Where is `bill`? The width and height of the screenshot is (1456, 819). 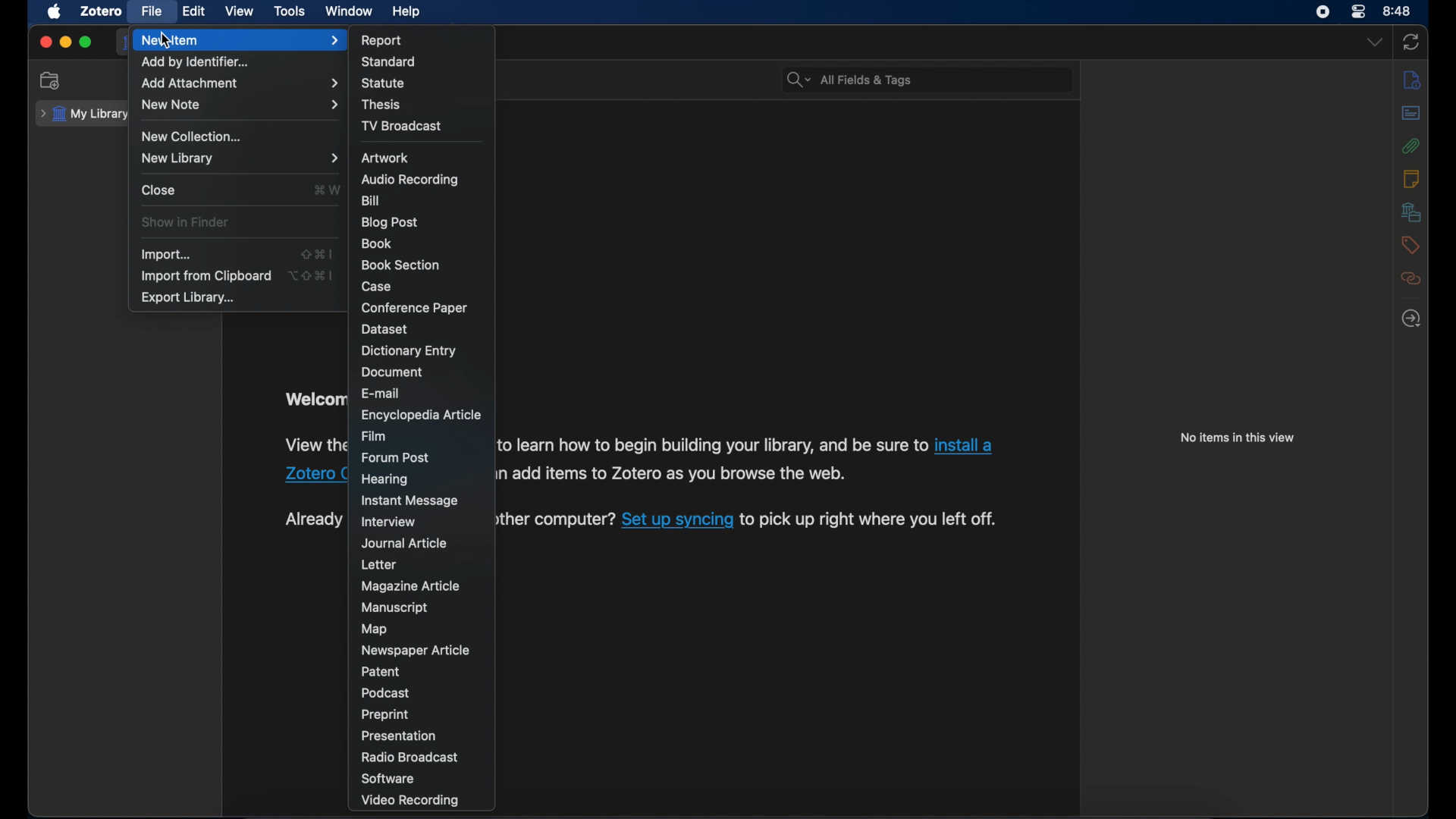 bill is located at coordinates (373, 202).